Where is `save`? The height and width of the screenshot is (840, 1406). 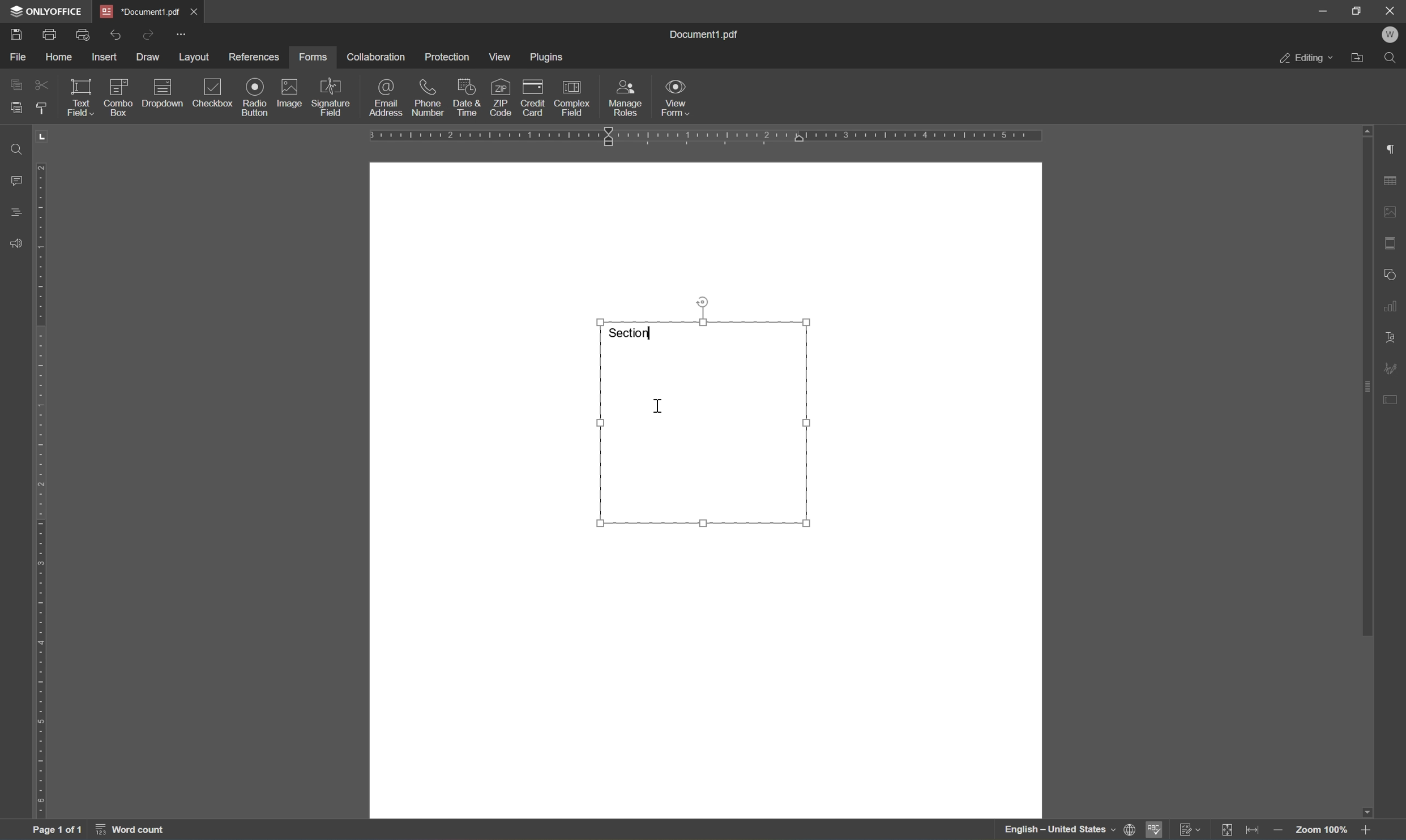
save is located at coordinates (21, 34).